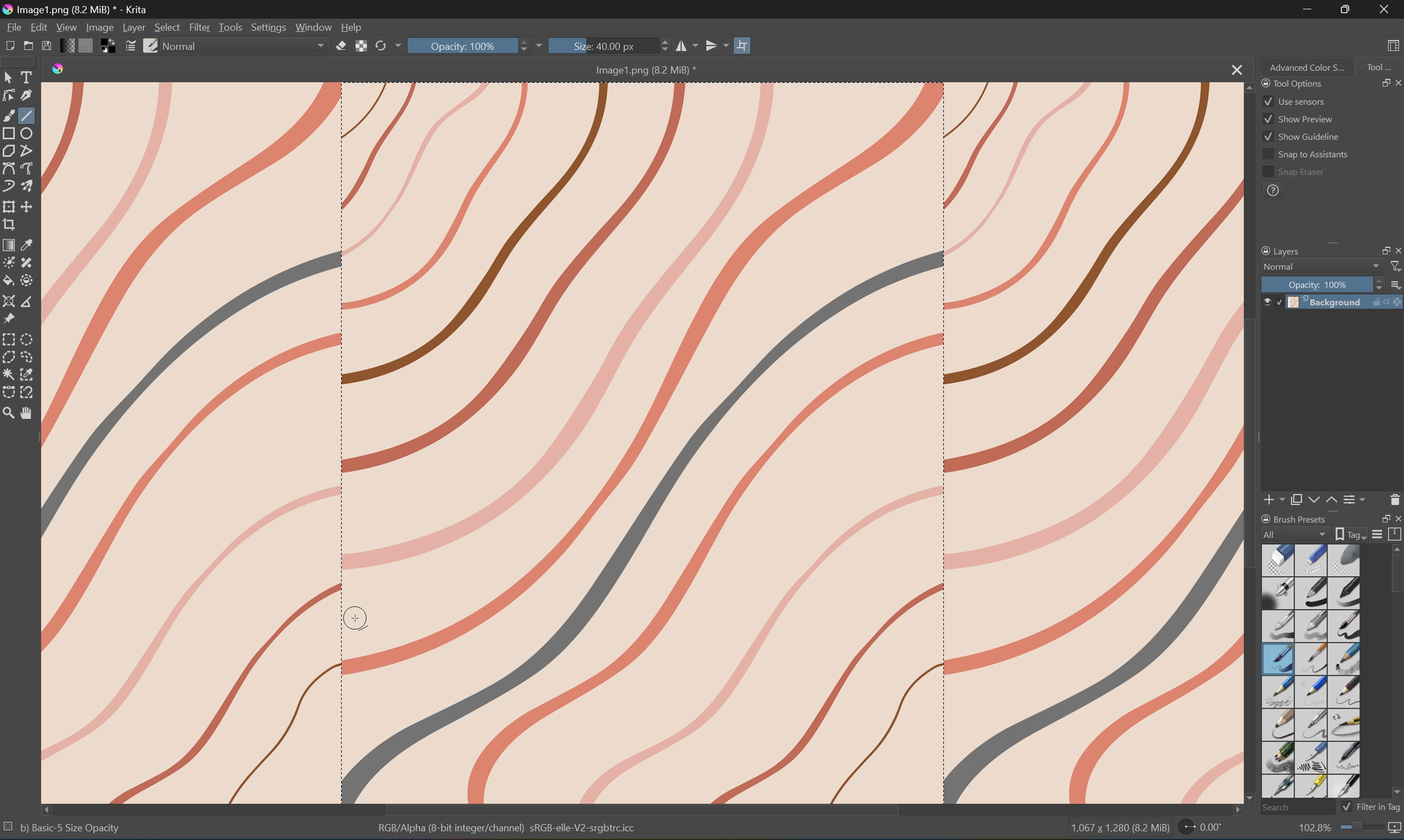  What do you see at coordinates (1234, 70) in the screenshot?
I see `Close` at bounding box center [1234, 70].